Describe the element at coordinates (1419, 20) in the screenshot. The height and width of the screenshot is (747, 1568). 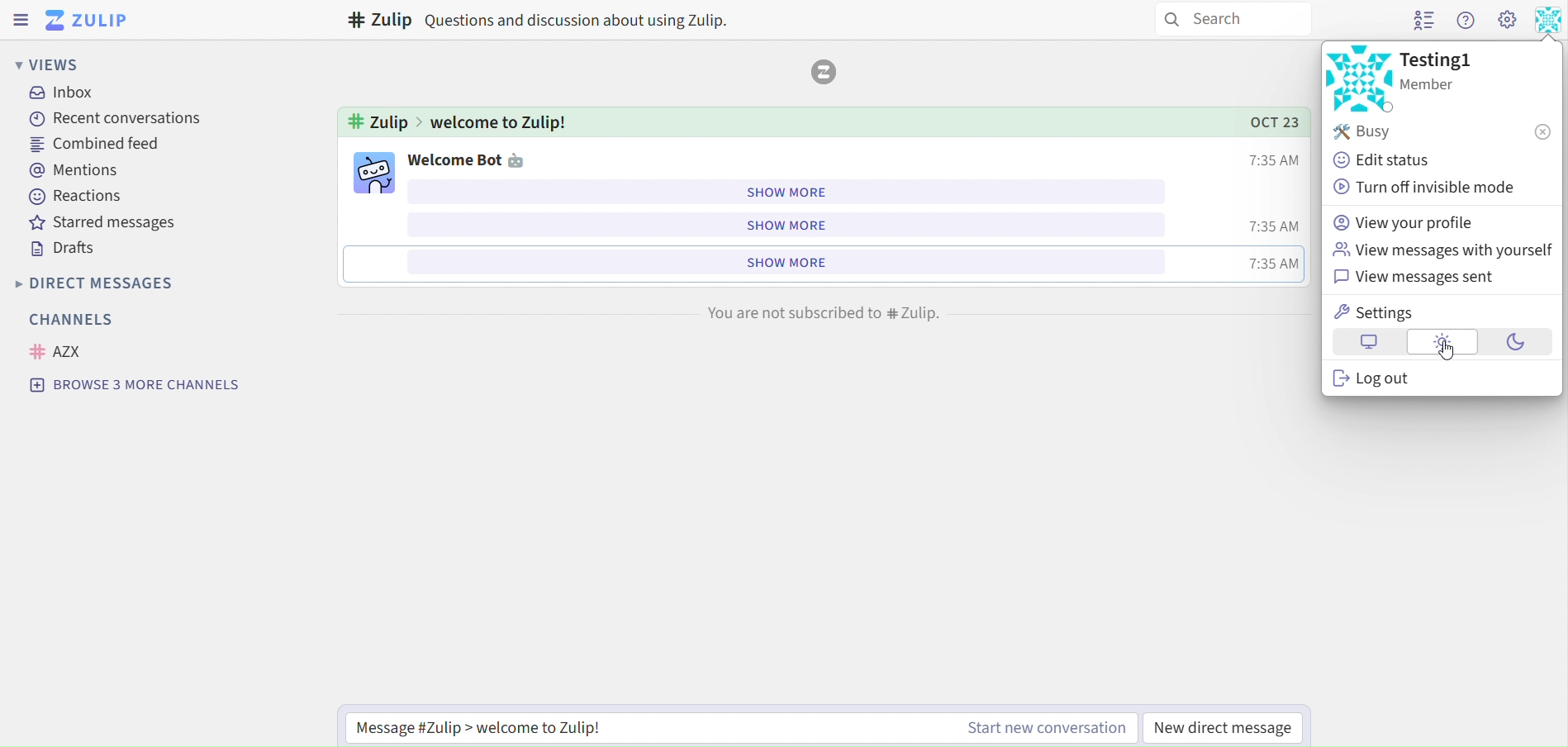
I see `hide user list` at that location.